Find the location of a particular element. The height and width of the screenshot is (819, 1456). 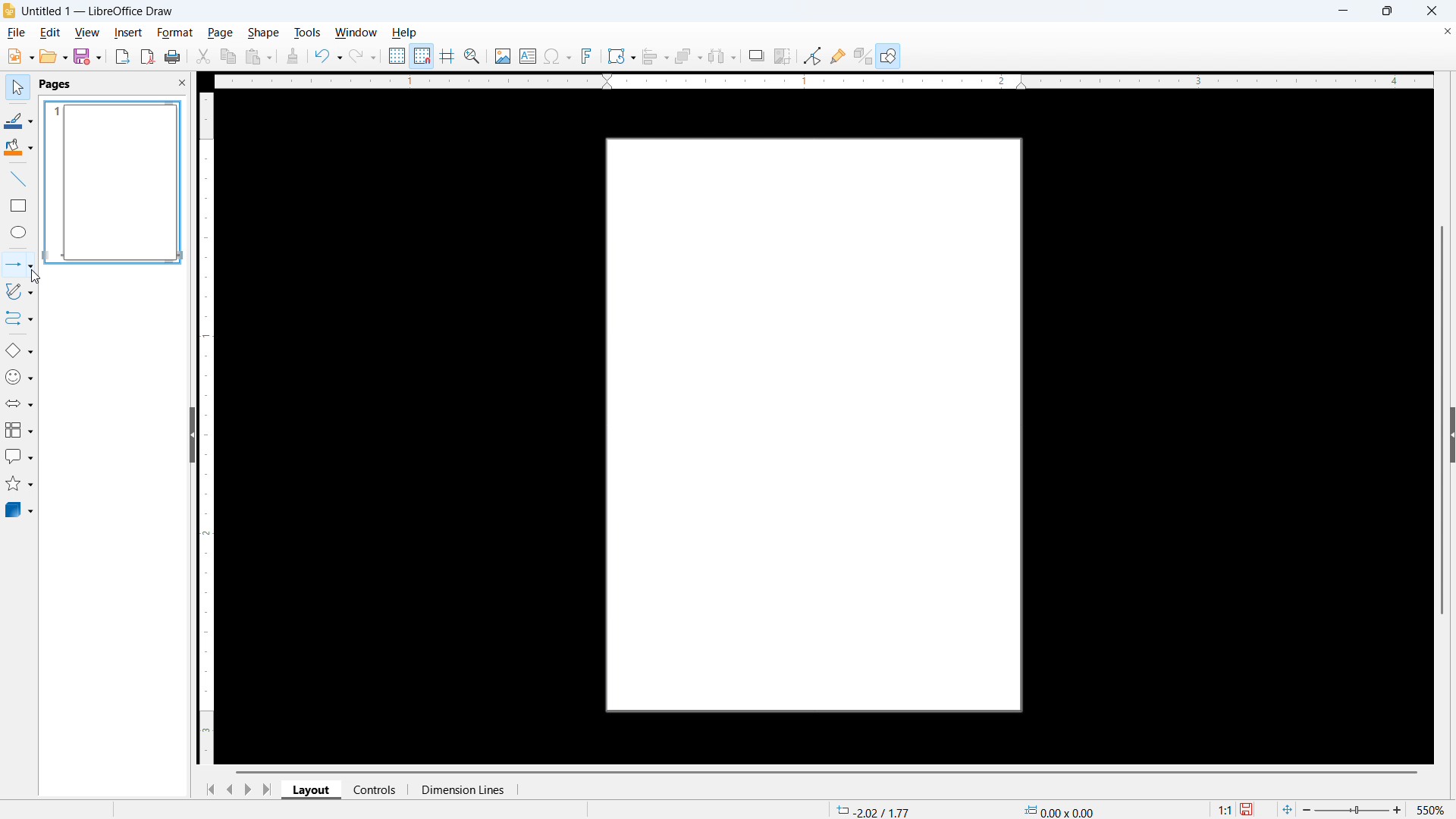

Rectangle  is located at coordinates (20, 206).